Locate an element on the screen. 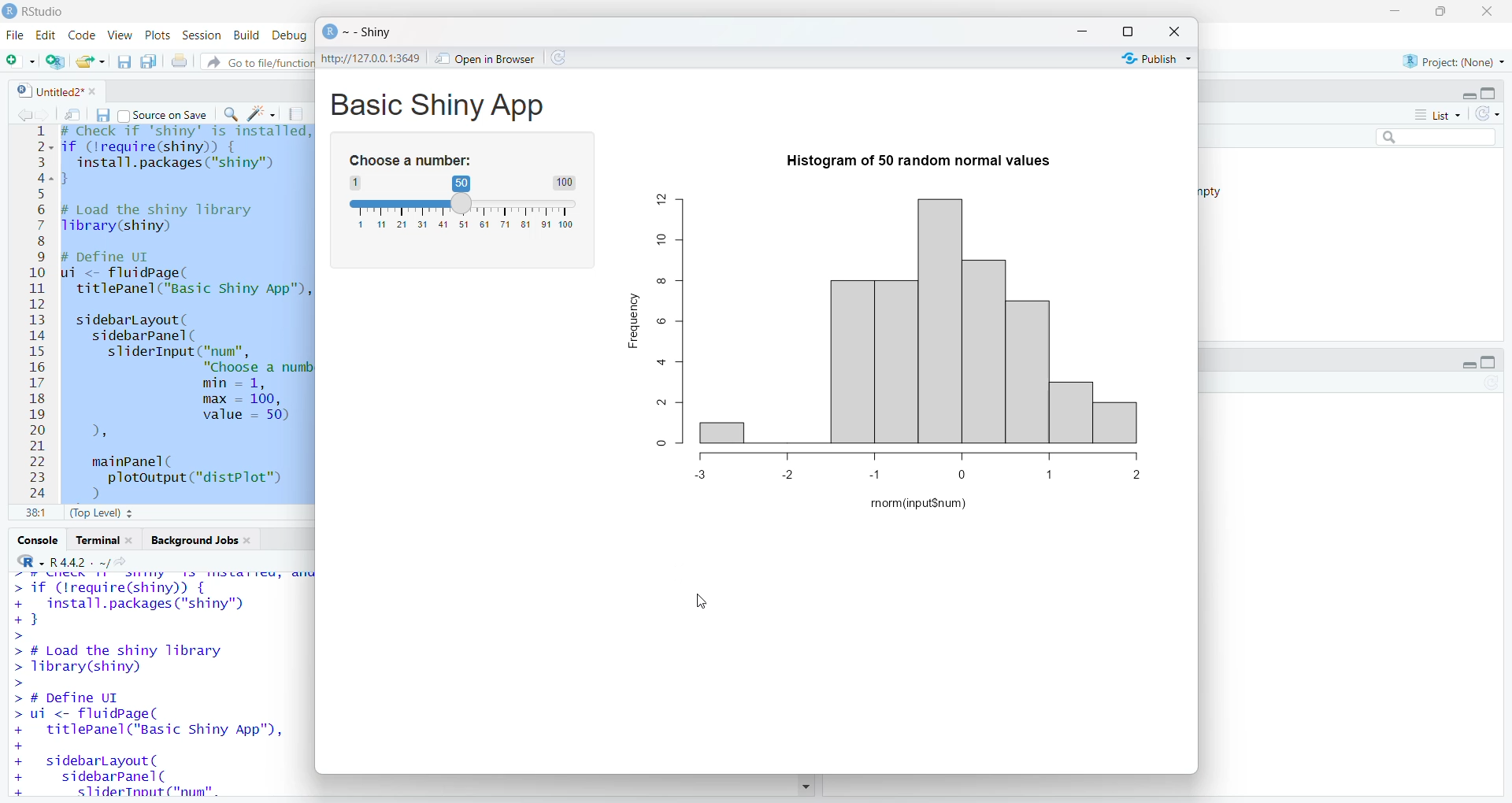  RStudio is located at coordinates (44, 13).